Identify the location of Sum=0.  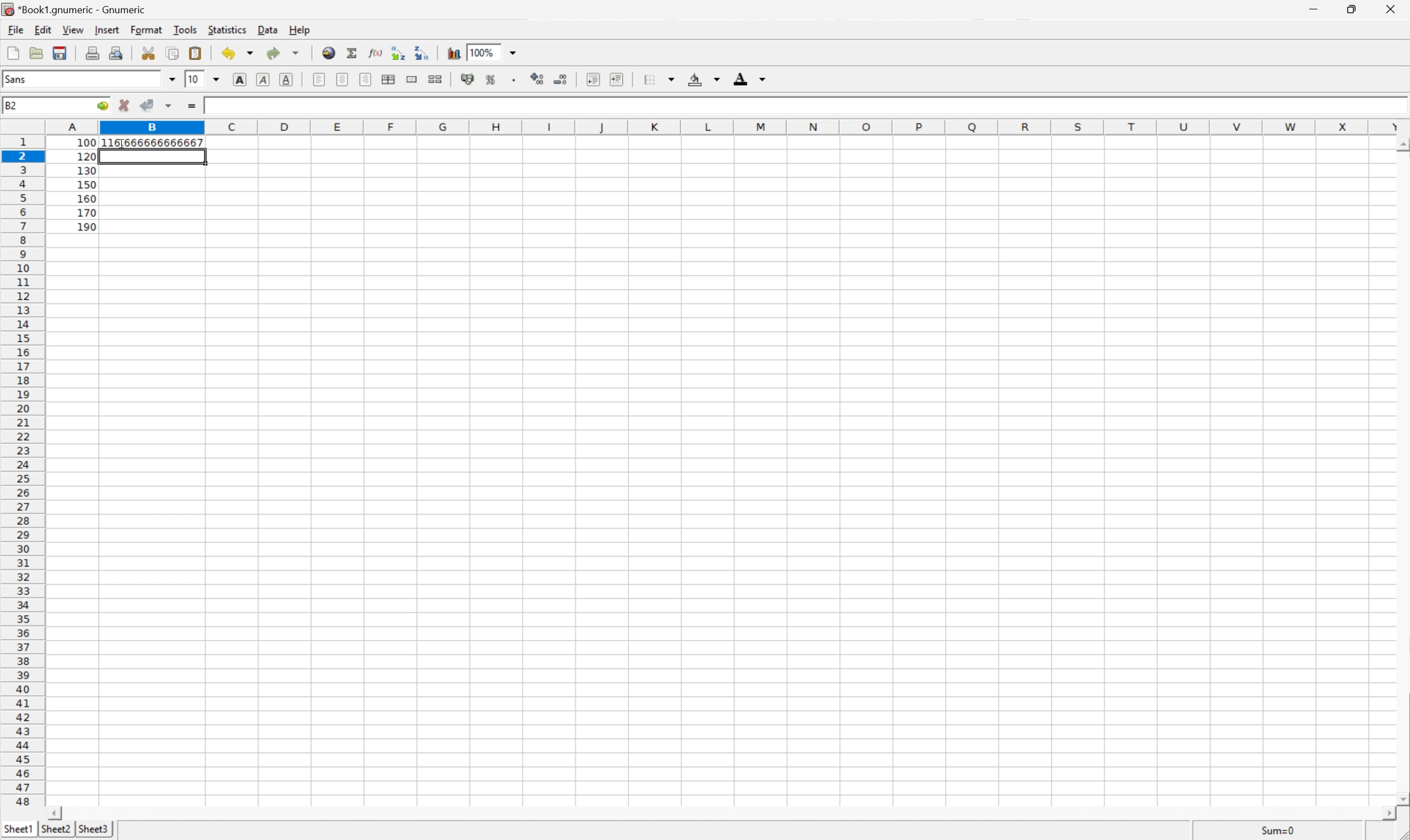
(1278, 829).